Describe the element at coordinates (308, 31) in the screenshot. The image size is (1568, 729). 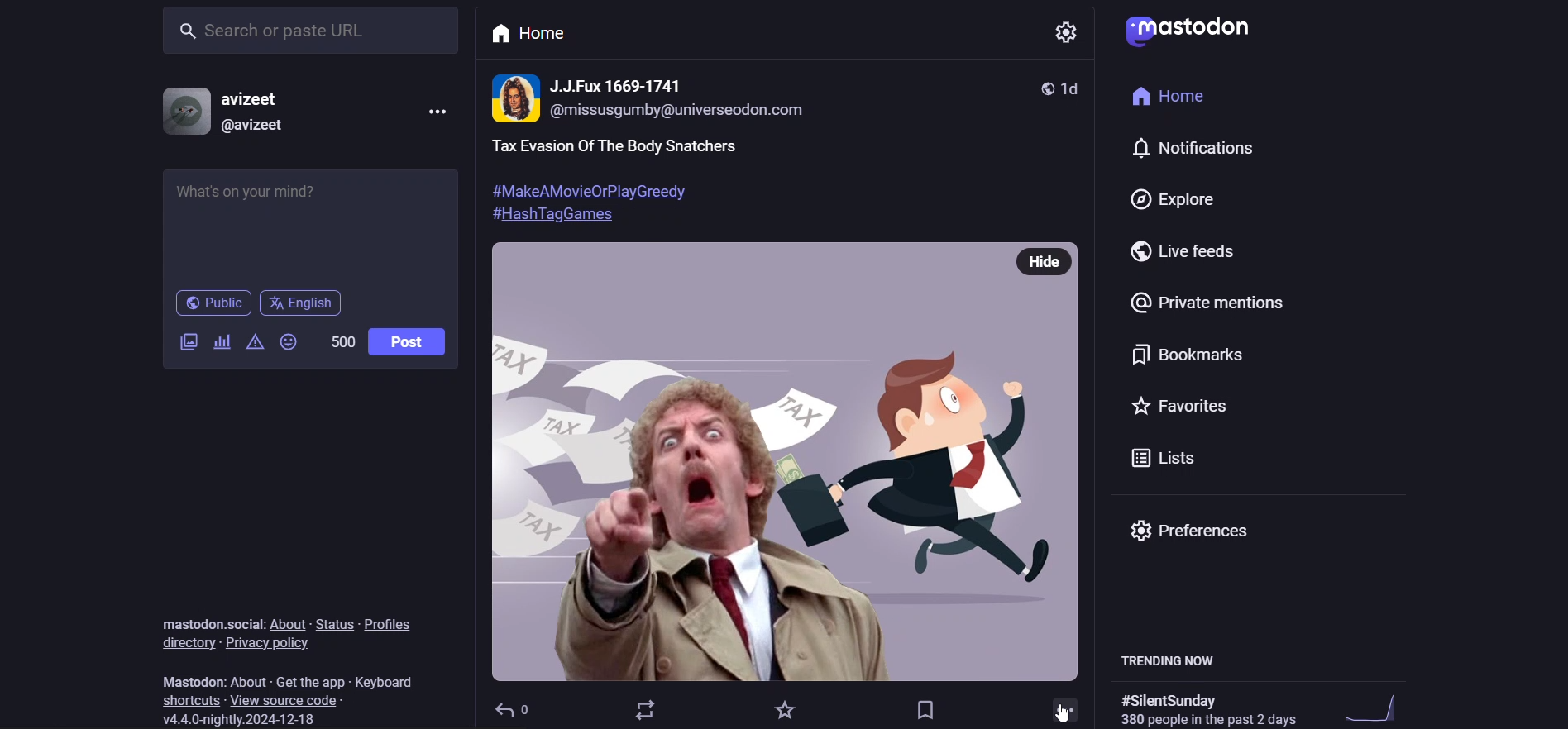
I see `search` at that location.